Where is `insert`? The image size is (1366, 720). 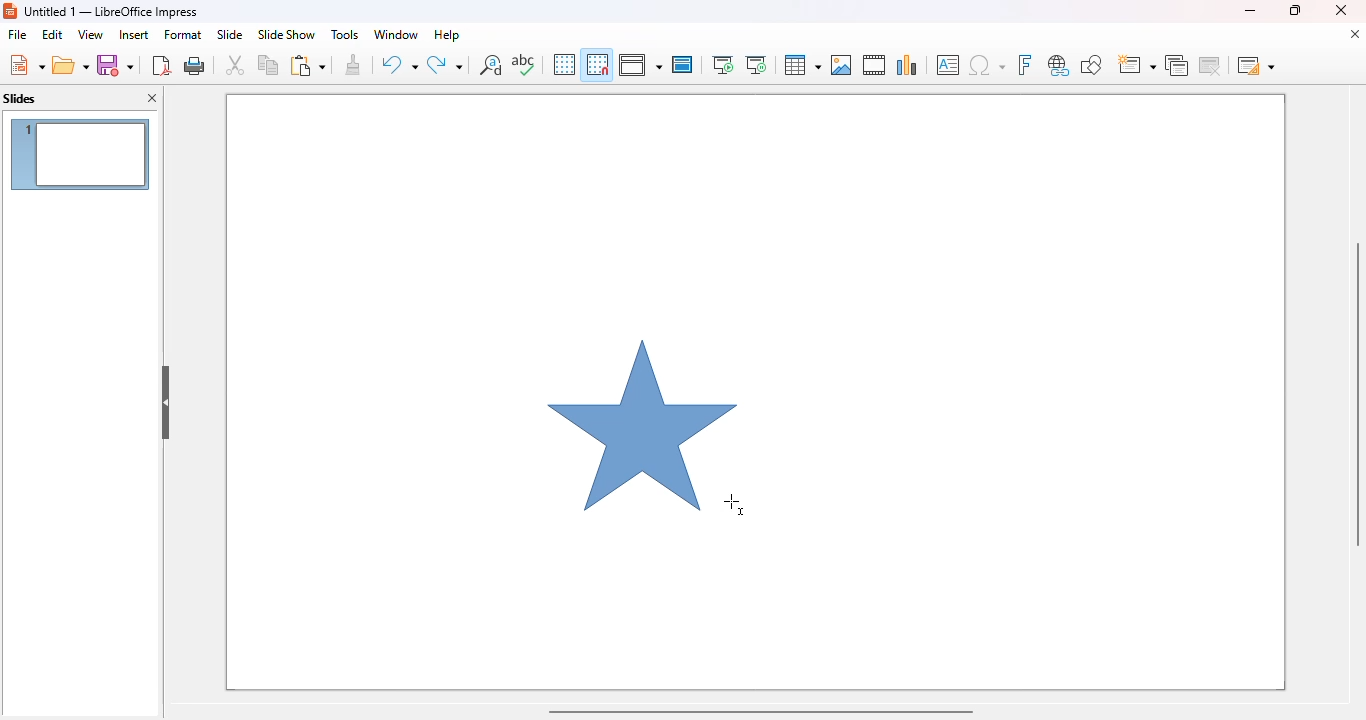 insert is located at coordinates (134, 35).